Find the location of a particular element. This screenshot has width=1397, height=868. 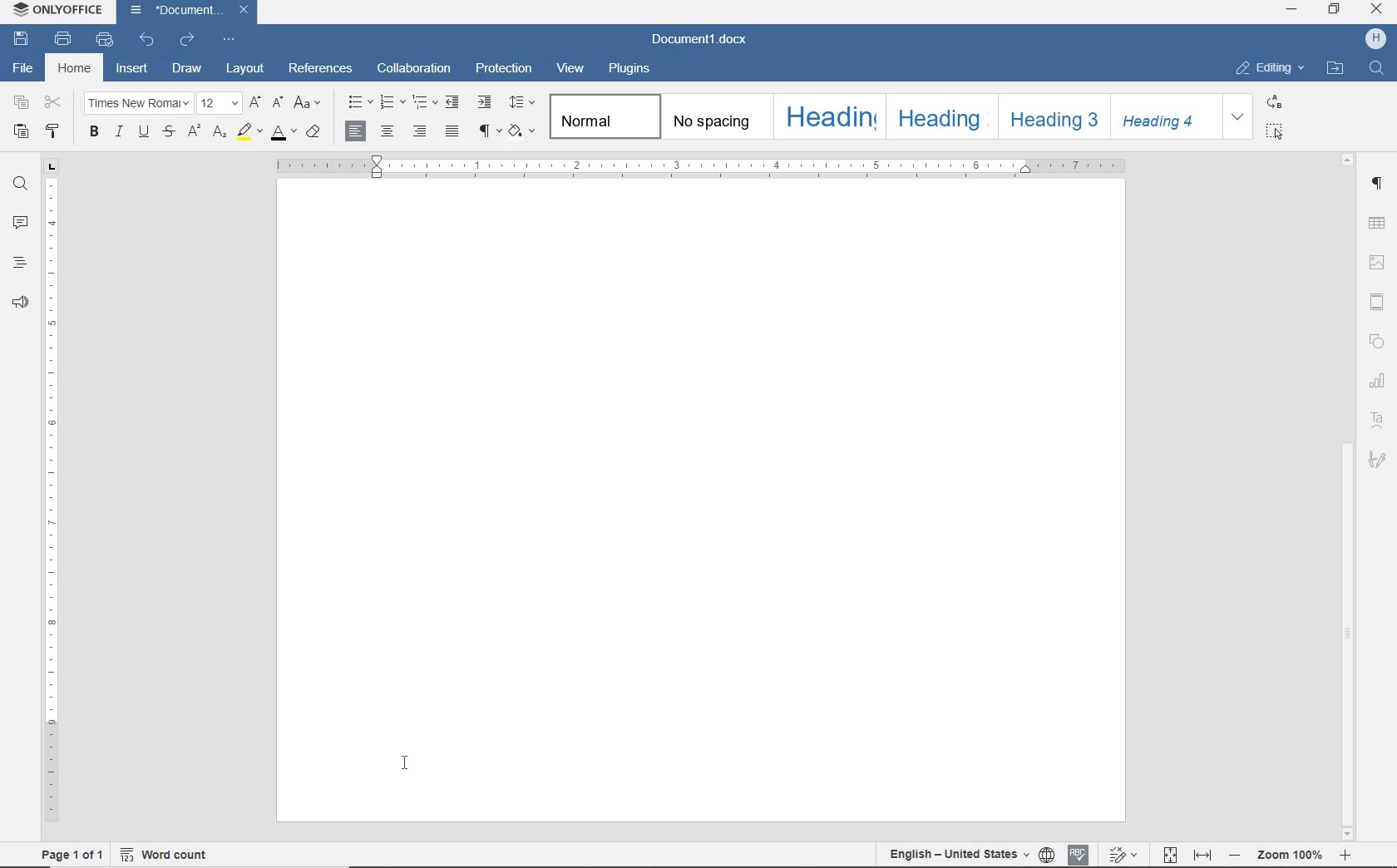

font size is located at coordinates (219, 104).